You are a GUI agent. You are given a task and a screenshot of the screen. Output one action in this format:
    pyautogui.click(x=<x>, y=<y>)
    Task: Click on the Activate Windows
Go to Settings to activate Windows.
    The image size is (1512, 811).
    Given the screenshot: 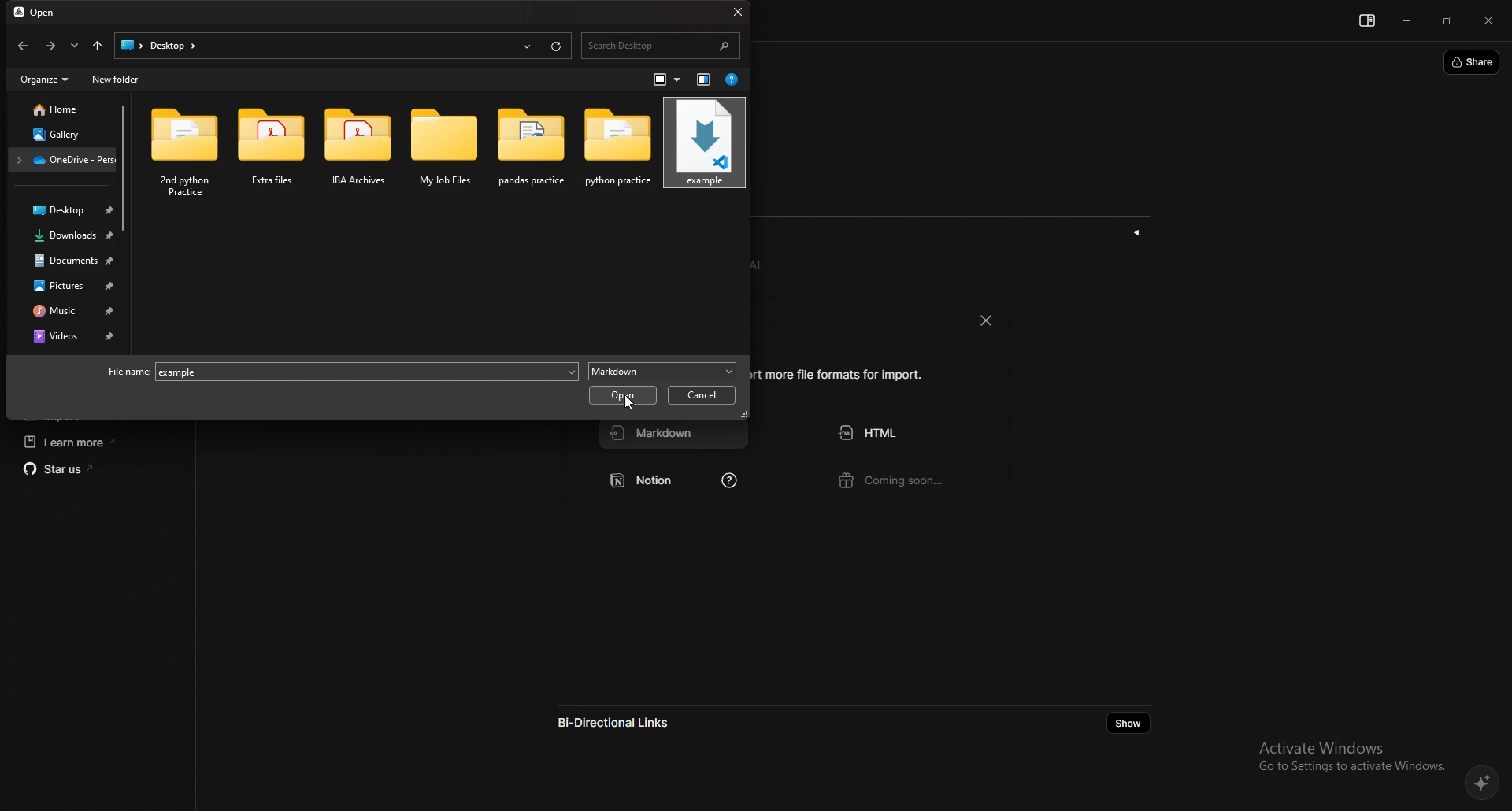 What is the action you would take?
    pyautogui.click(x=1347, y=755)
    